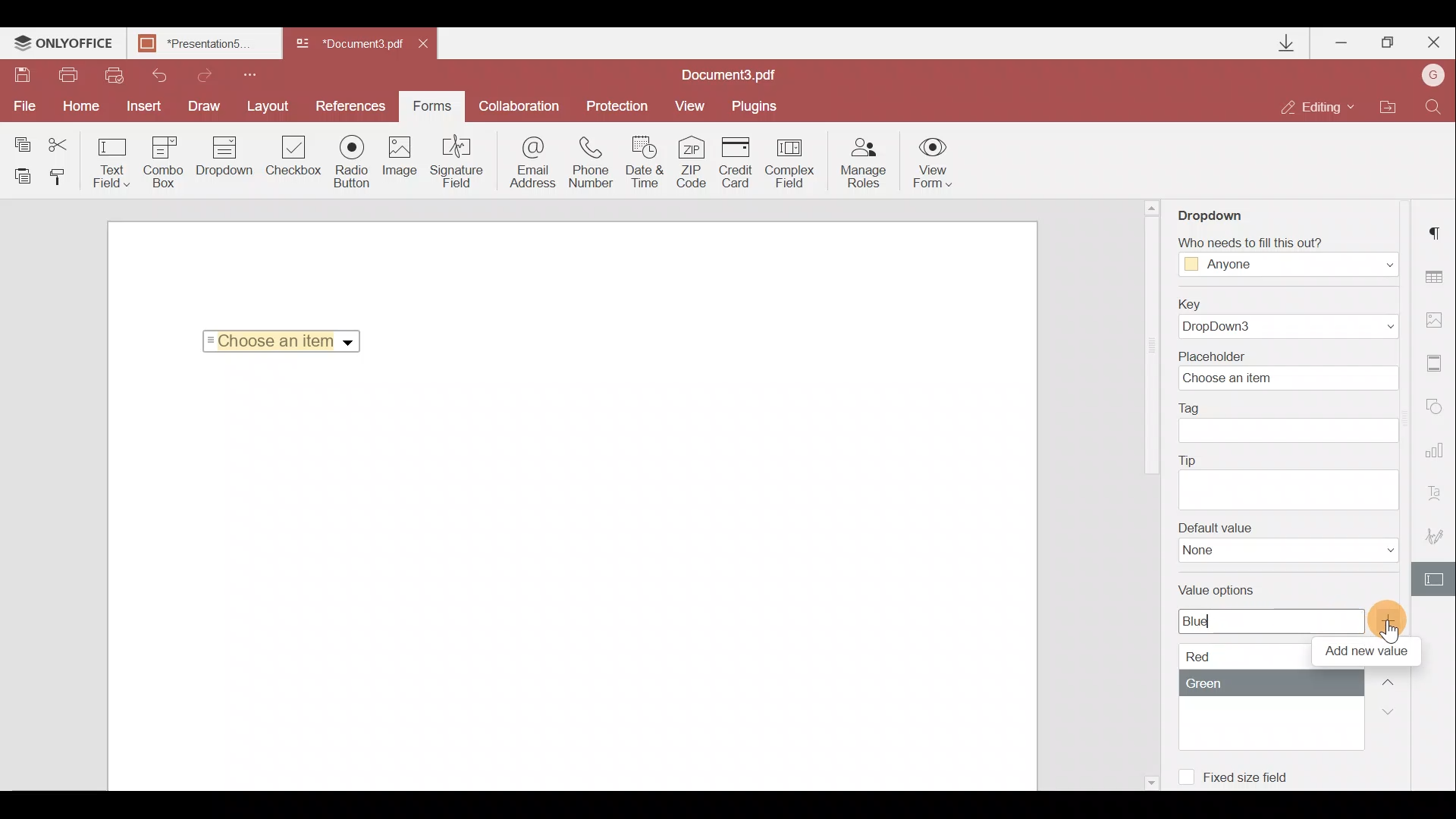 This screenshot has width=1456, height=819. I want to click on Plugins, so click(756, 107).